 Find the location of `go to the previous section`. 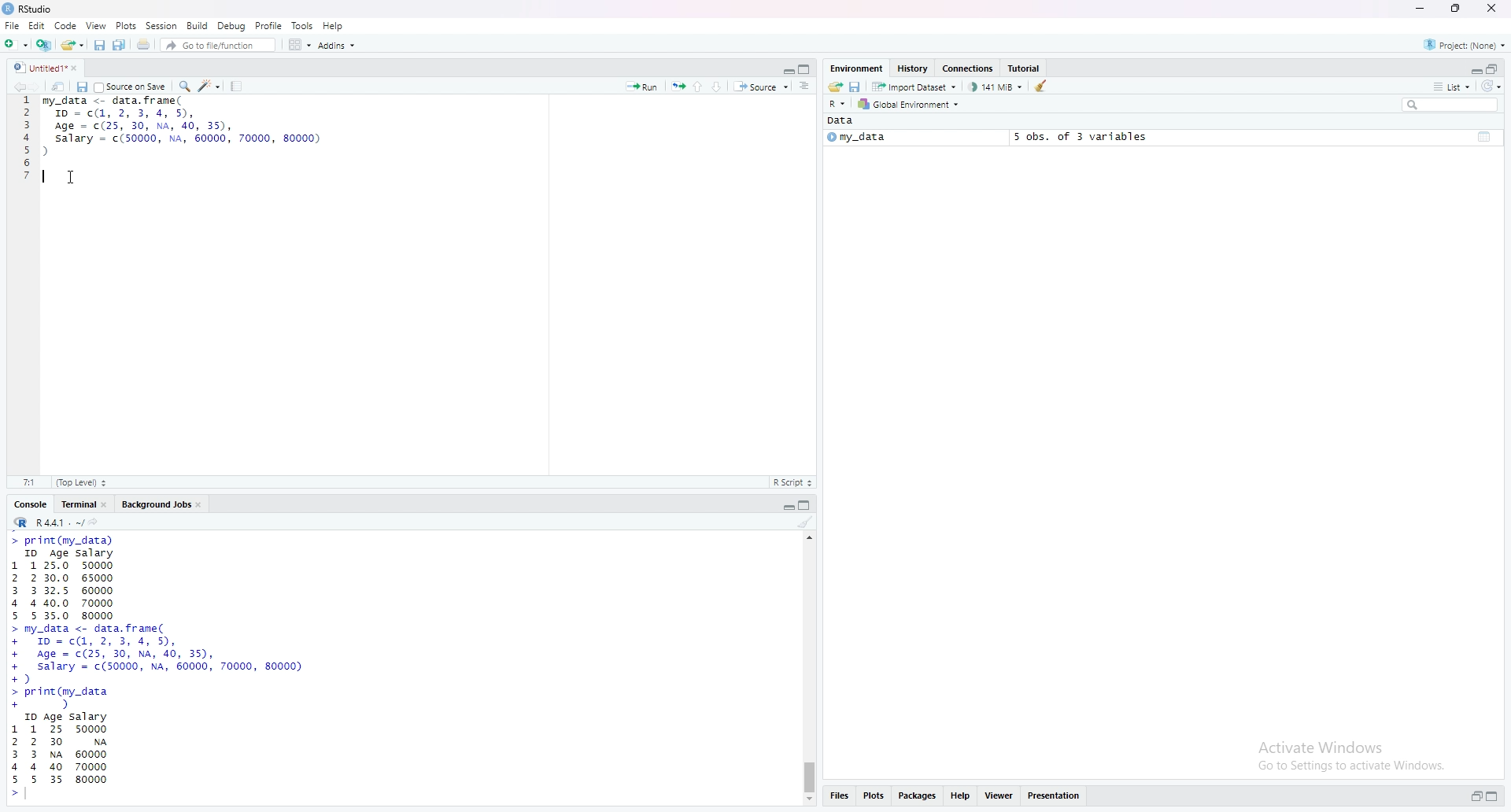

go to the previous section is located at coordinates (701, 86).